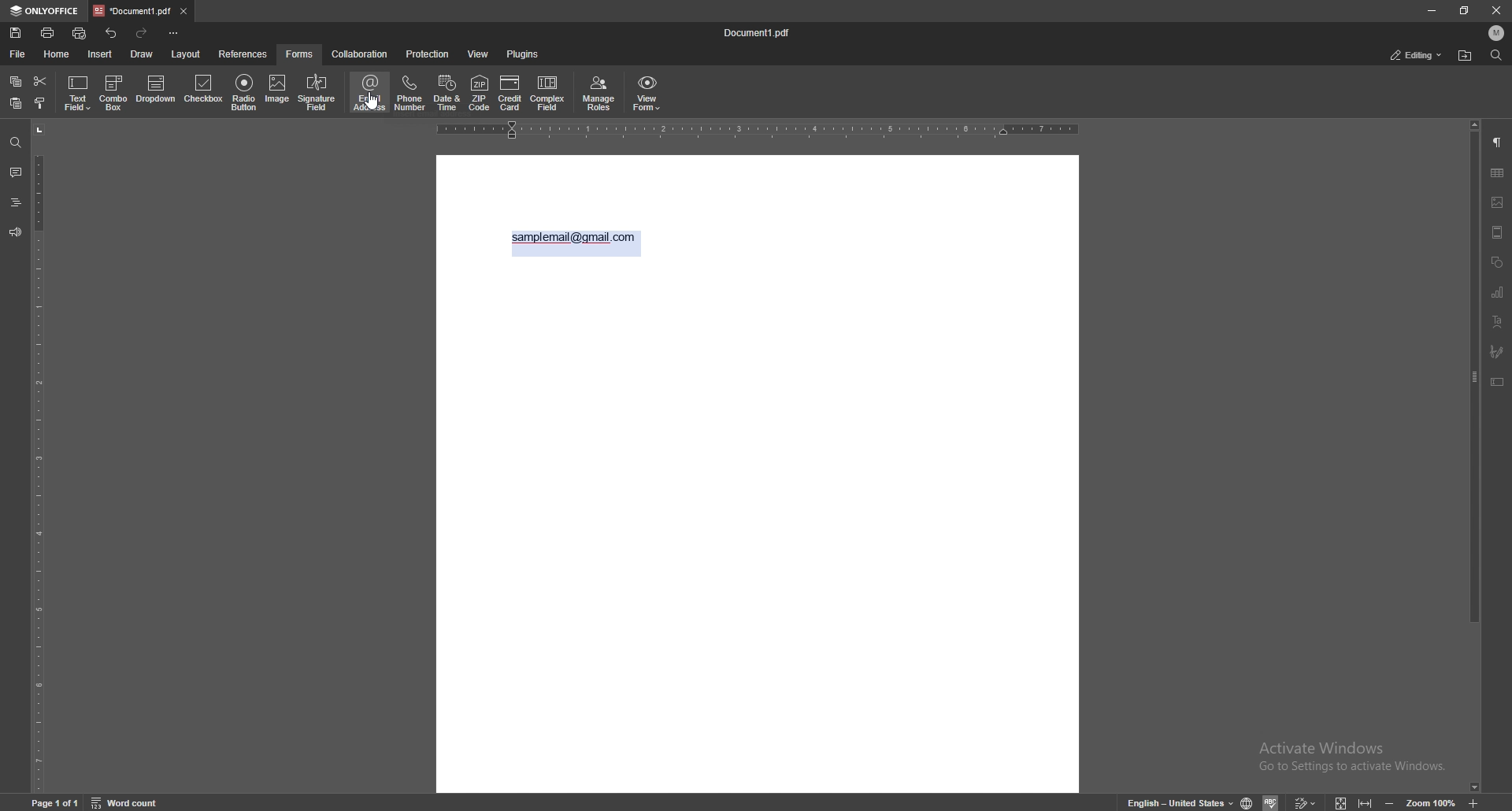  Describe the element at coordinates (1475, 457) in the screenshot. I see `scroll bar` at that location.